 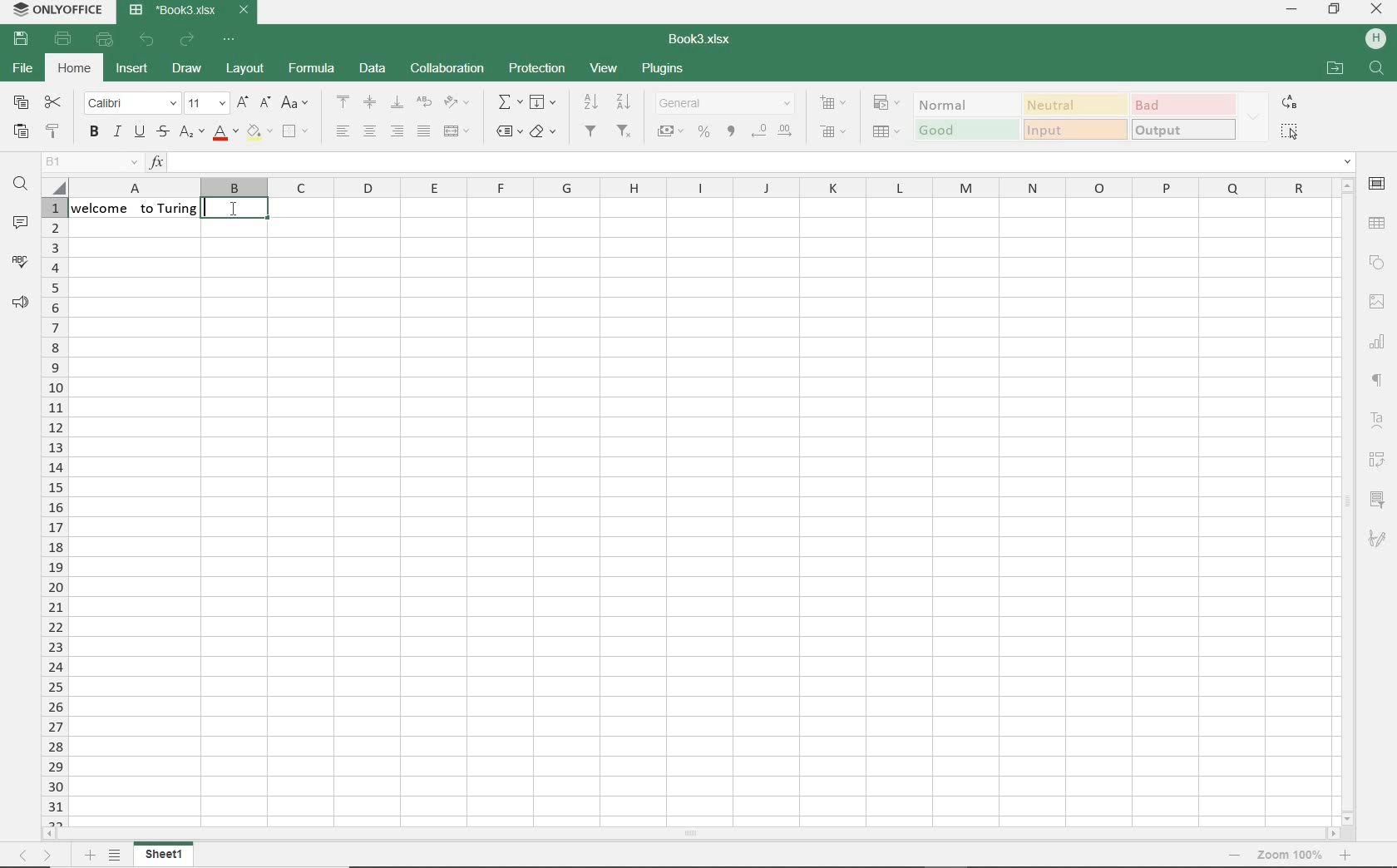 What do you see at coordinates (312, 68) in the screenshot?
I see `formula` at bounding box center [312, 68].